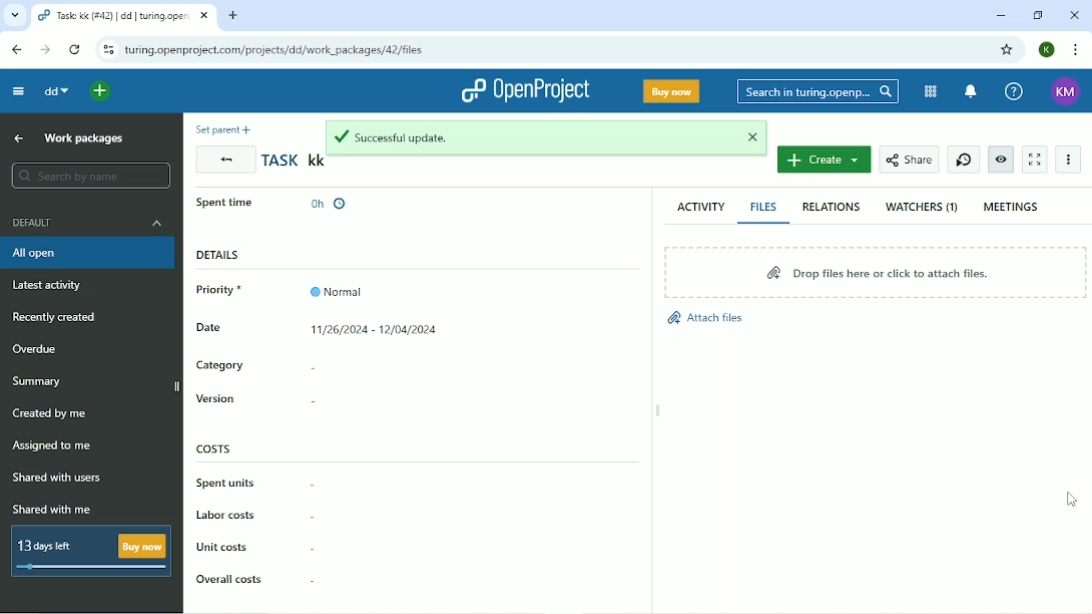 This screenshot has width=1092, height=614. Describe the element at coordinates (962, 159) in the screenshot. I see `Start new timer` at that location.